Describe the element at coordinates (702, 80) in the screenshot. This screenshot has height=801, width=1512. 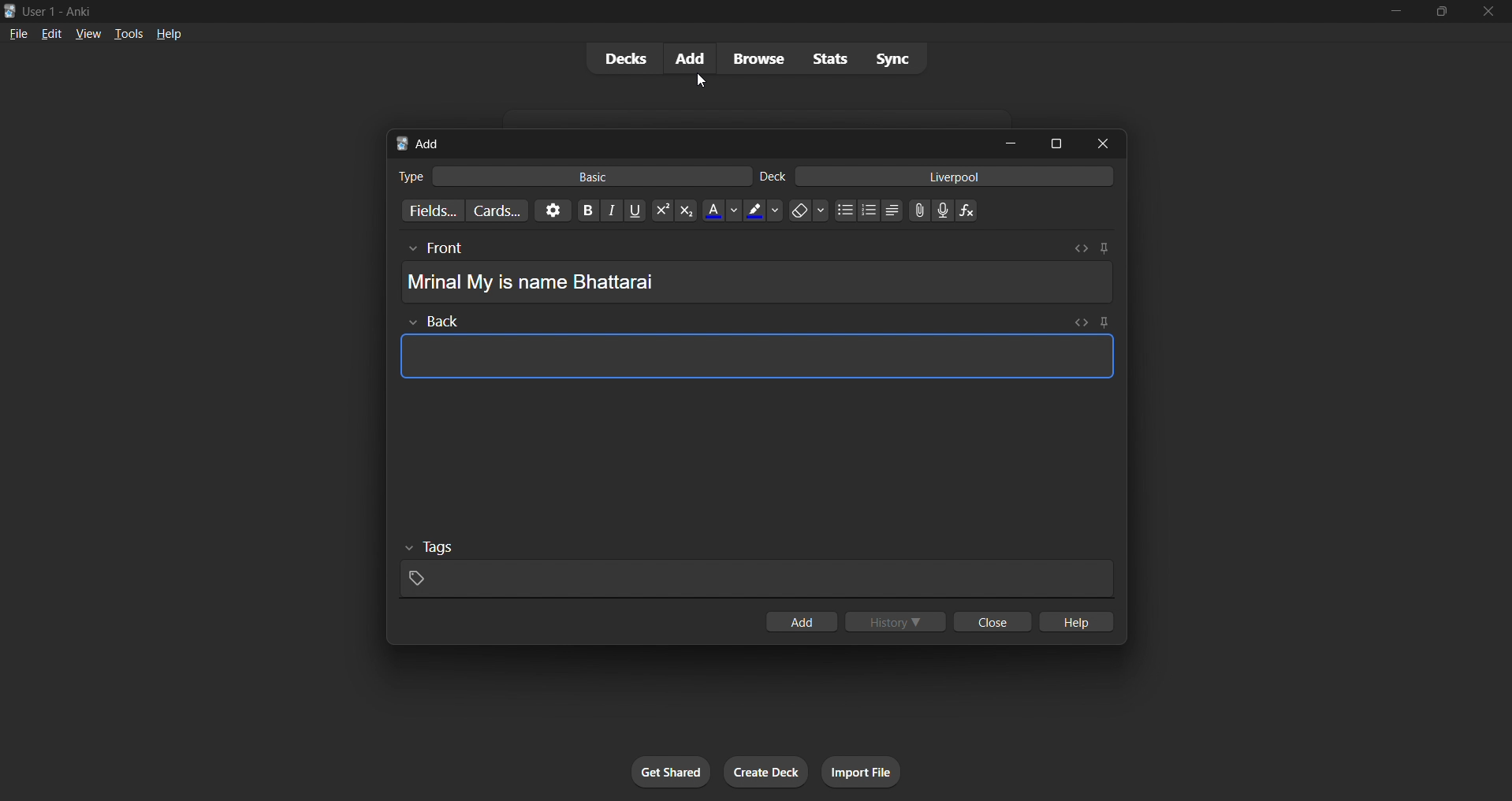
I see `Cursor` at that location.